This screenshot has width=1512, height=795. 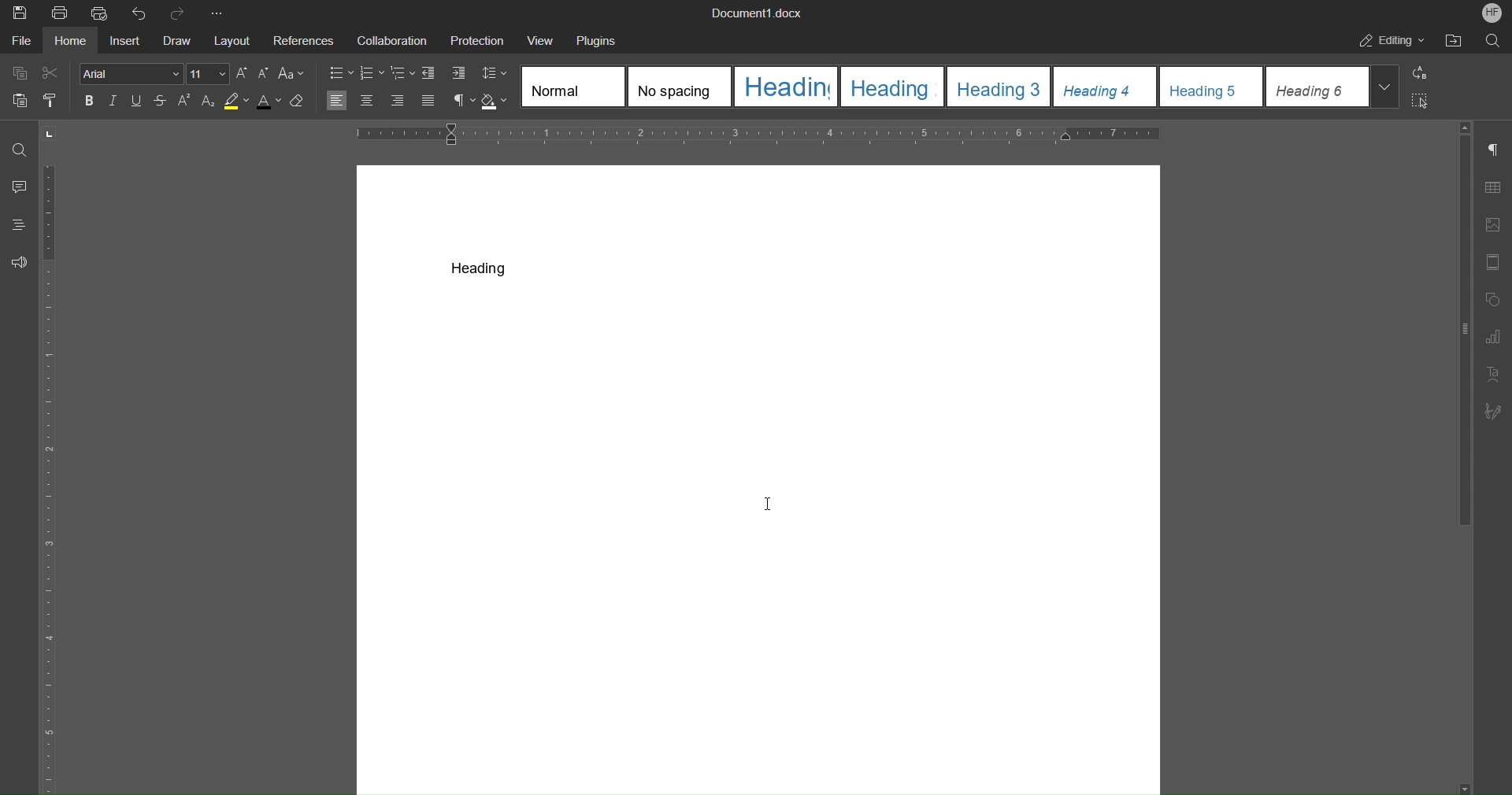 What do you see at coordinates (263, 74) in the screenshot?
I see `Decrease Size` at bounding box center [263, 74].